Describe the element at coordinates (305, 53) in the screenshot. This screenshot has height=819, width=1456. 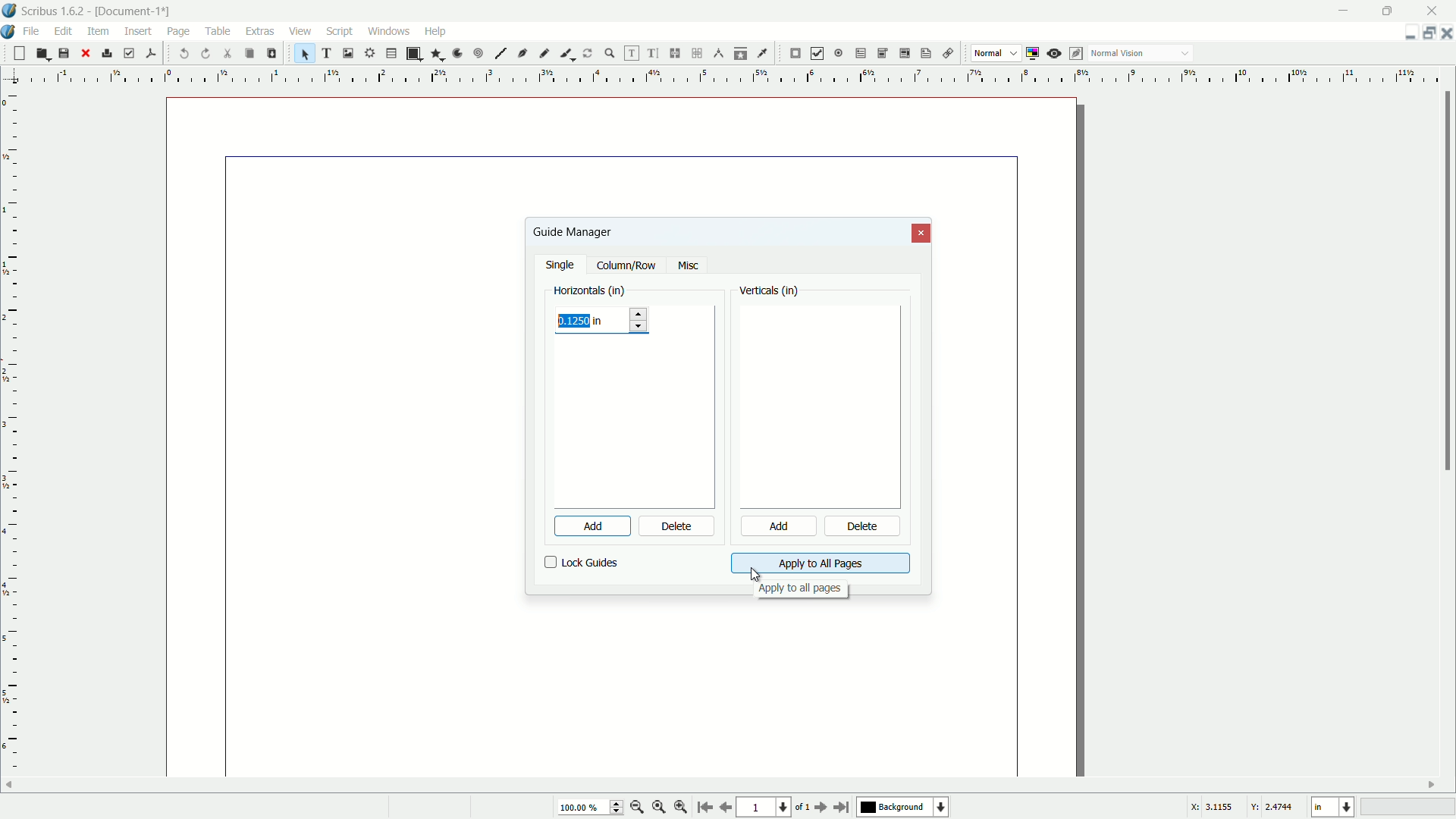
I see `select item` at that location.